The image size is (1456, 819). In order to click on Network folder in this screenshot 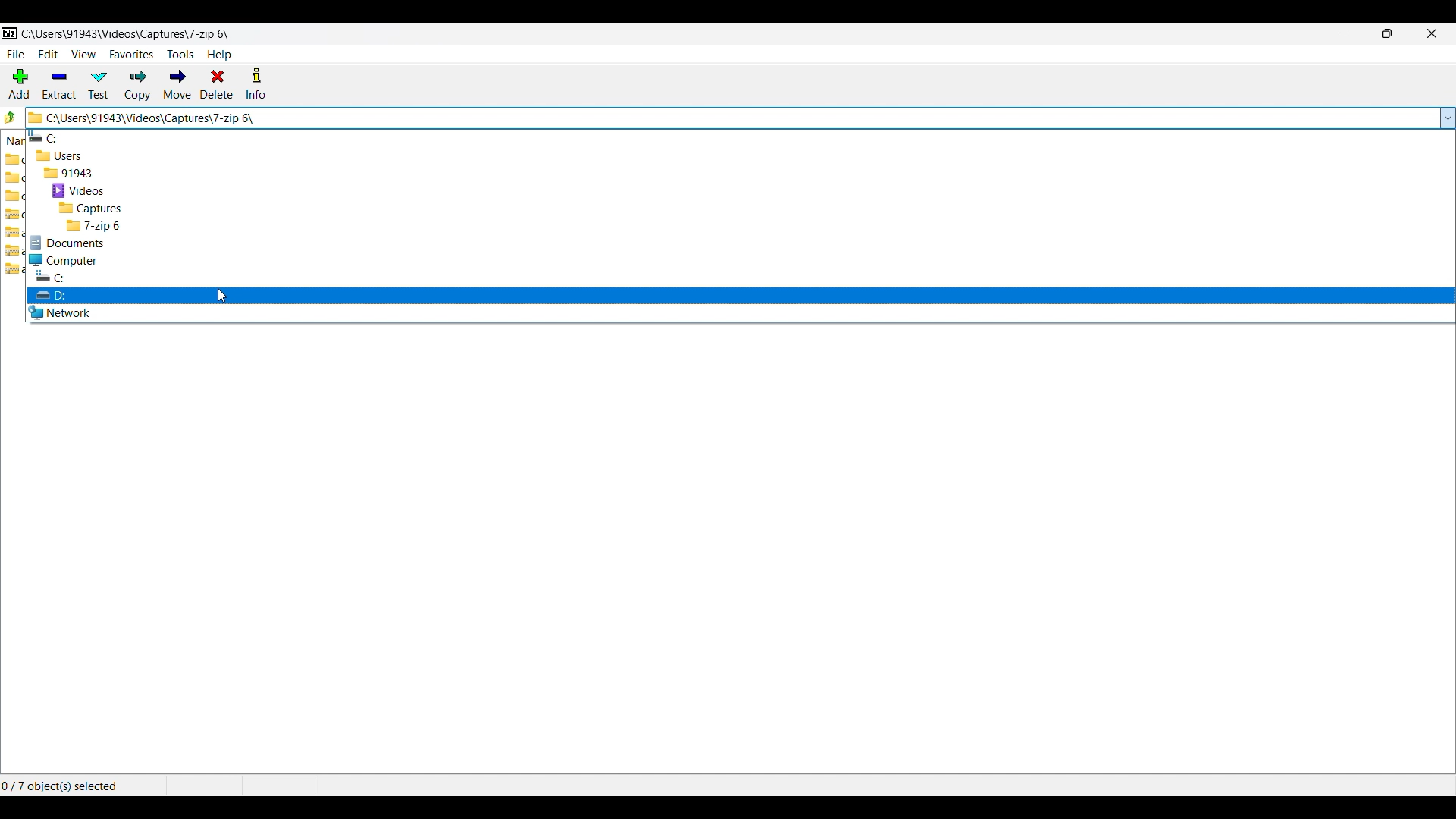, I will do `click(740, 312)`.